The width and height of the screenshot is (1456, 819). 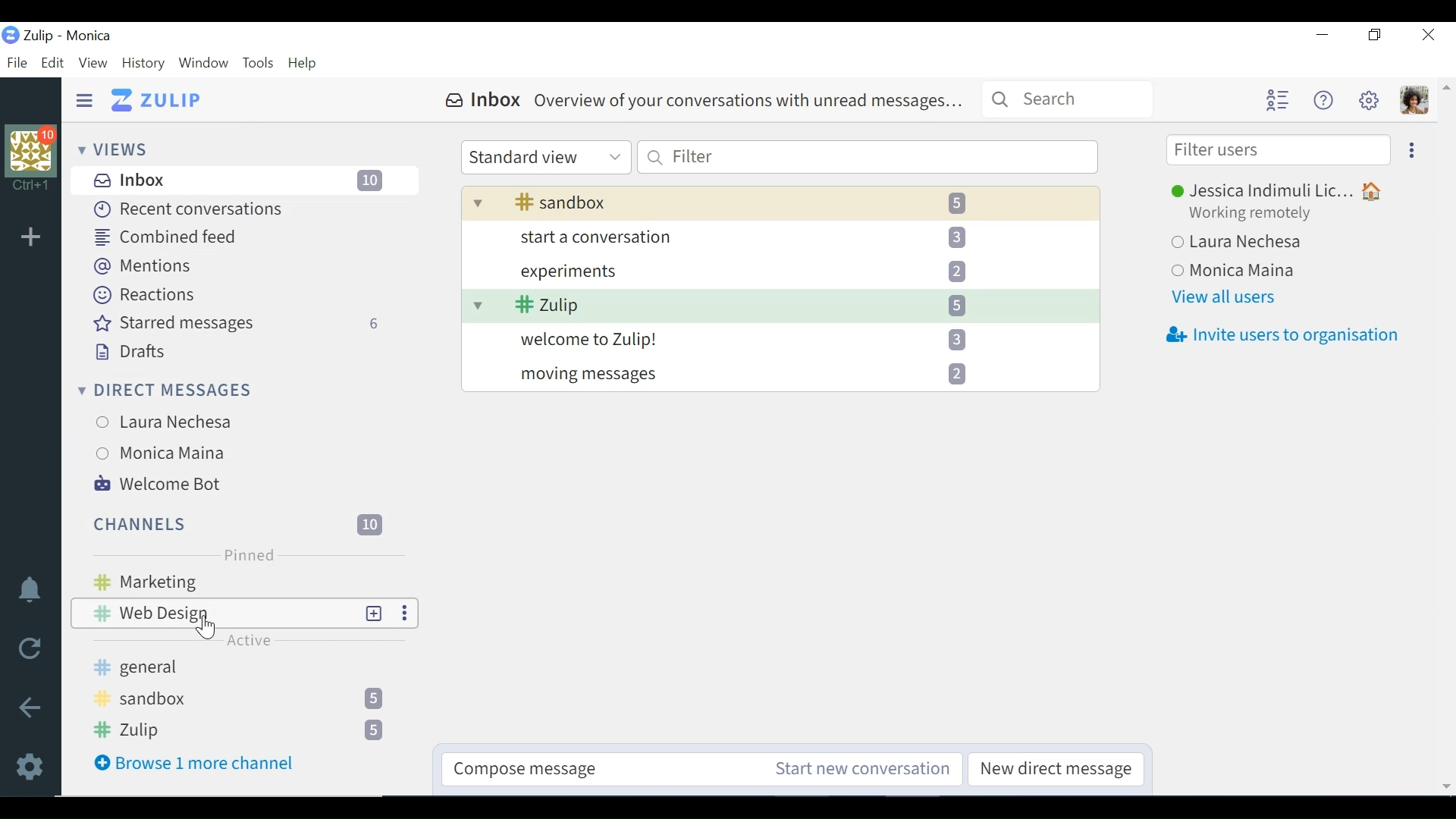 What do you see at coordinates (245, 699) in the screenshot?
I see `sandbox Channel` at bounding box center [245, 699].